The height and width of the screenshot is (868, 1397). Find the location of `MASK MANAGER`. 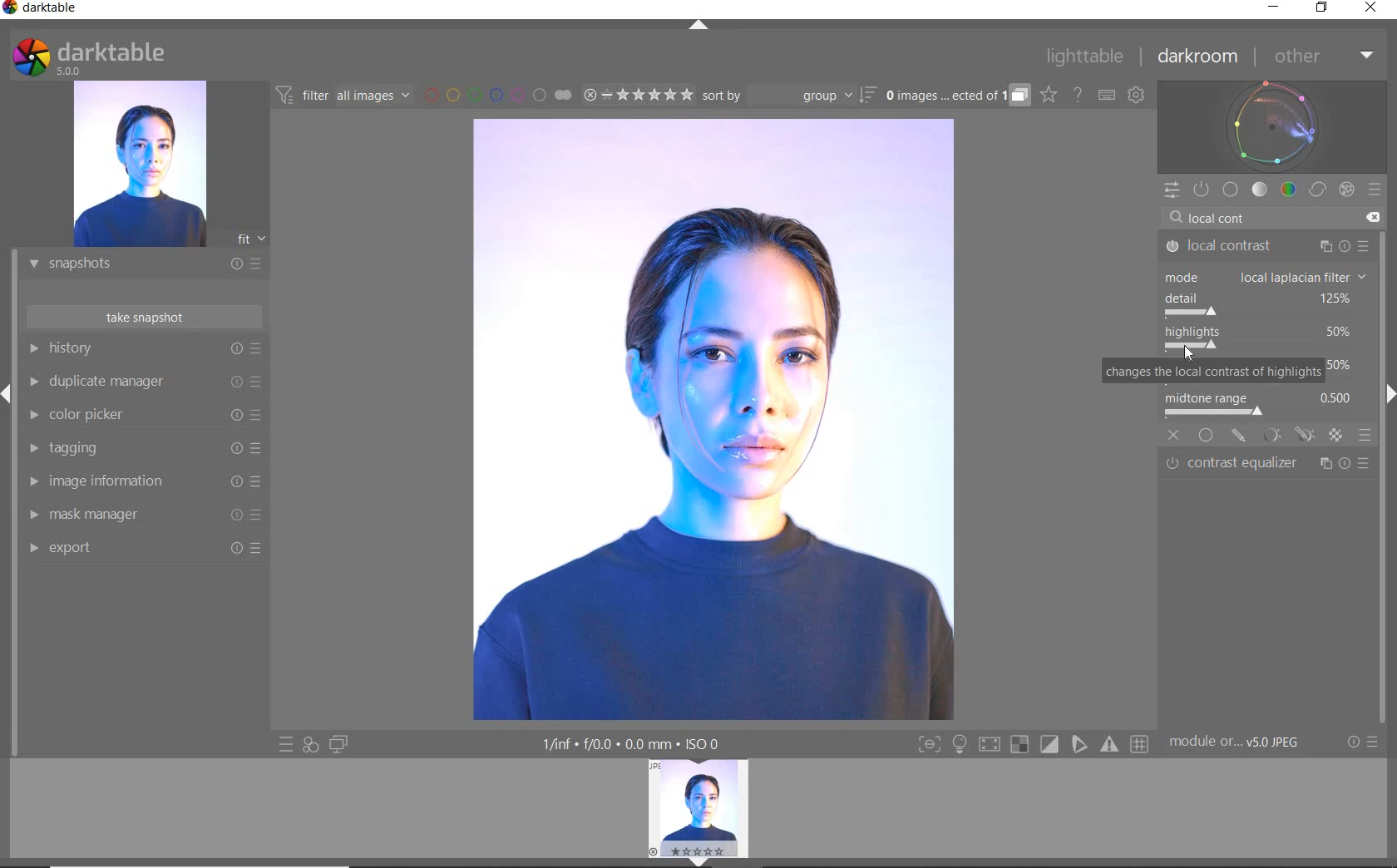

MASK MANAGER is located at coordinates (137, 515).